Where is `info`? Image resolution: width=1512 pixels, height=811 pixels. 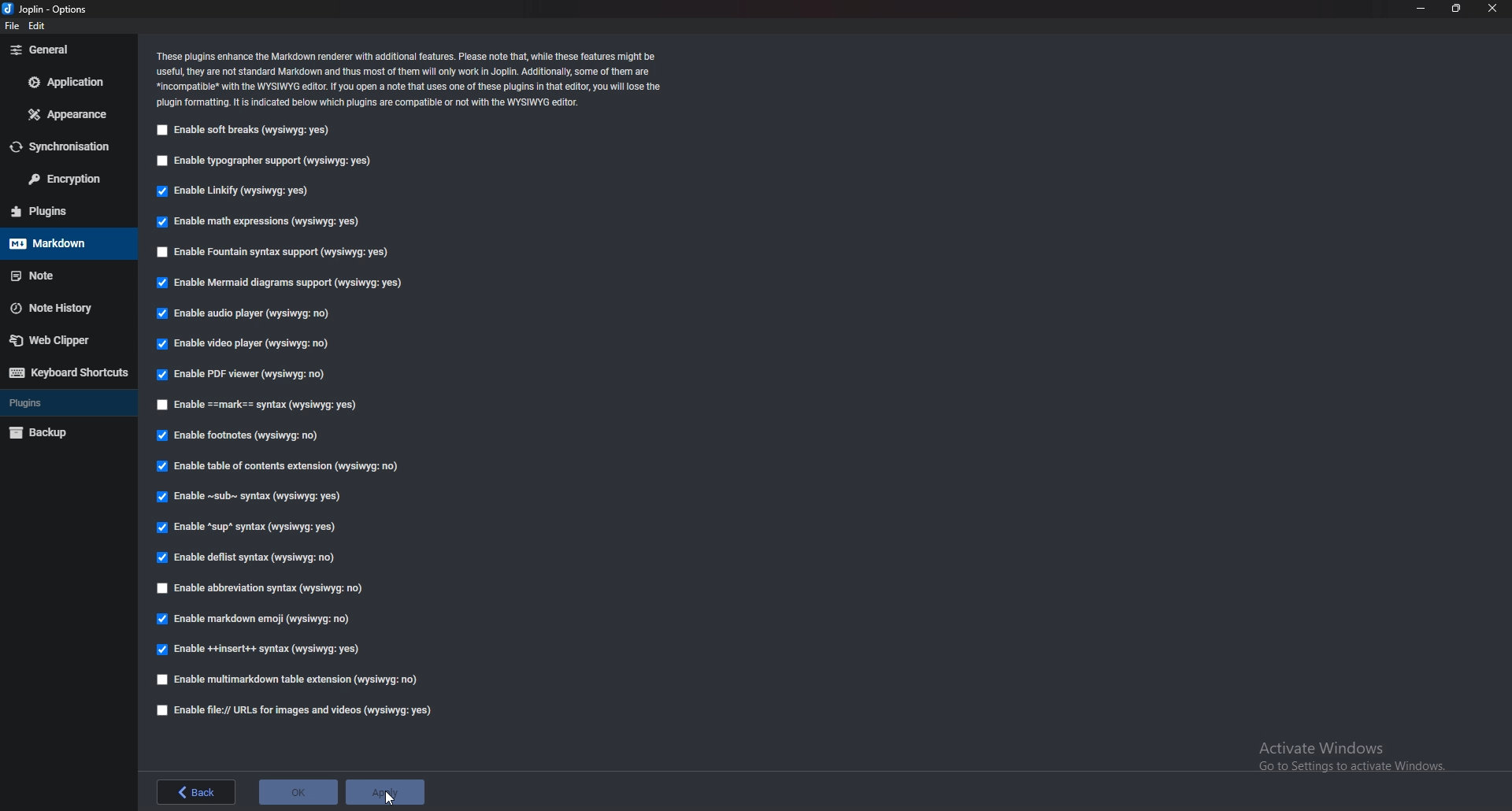
info is located at coordinates (413, 77).